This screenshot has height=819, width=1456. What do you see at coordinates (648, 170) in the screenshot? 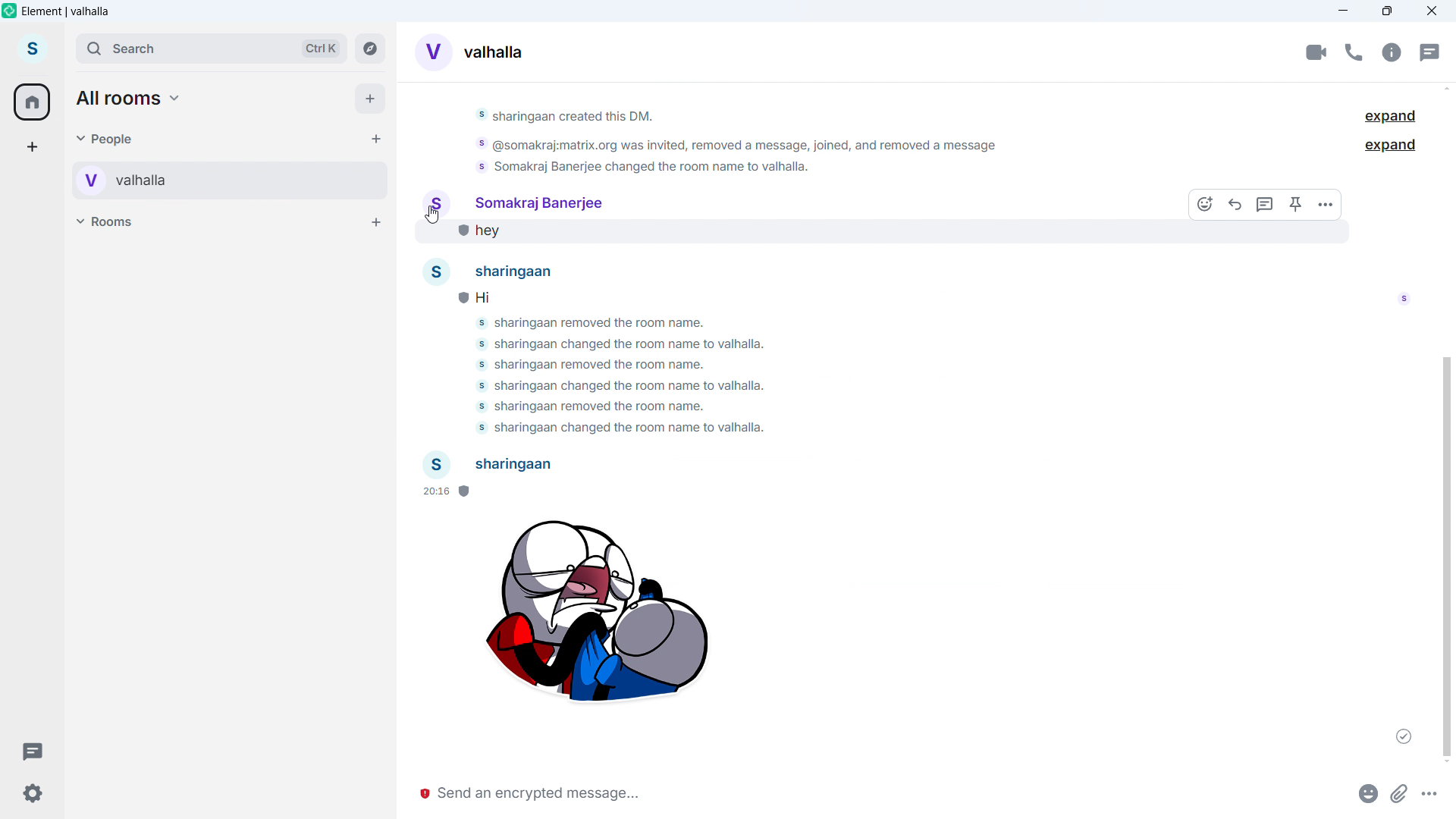
I see `somakraj banerjee charged the room name to valhalla` at bounding box center [648, 170].